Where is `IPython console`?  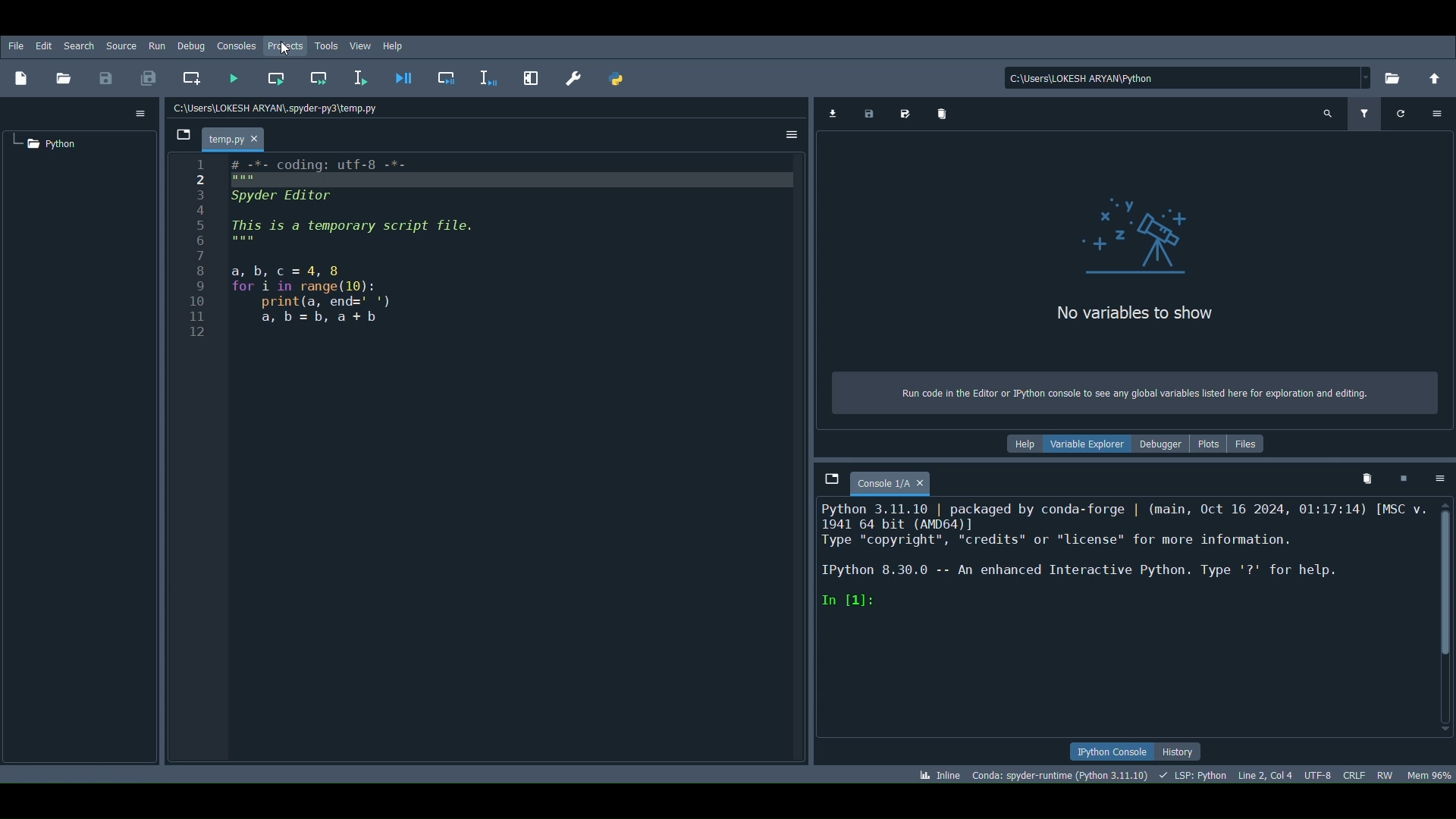 IPython console is located at coordinates (1108, 750).